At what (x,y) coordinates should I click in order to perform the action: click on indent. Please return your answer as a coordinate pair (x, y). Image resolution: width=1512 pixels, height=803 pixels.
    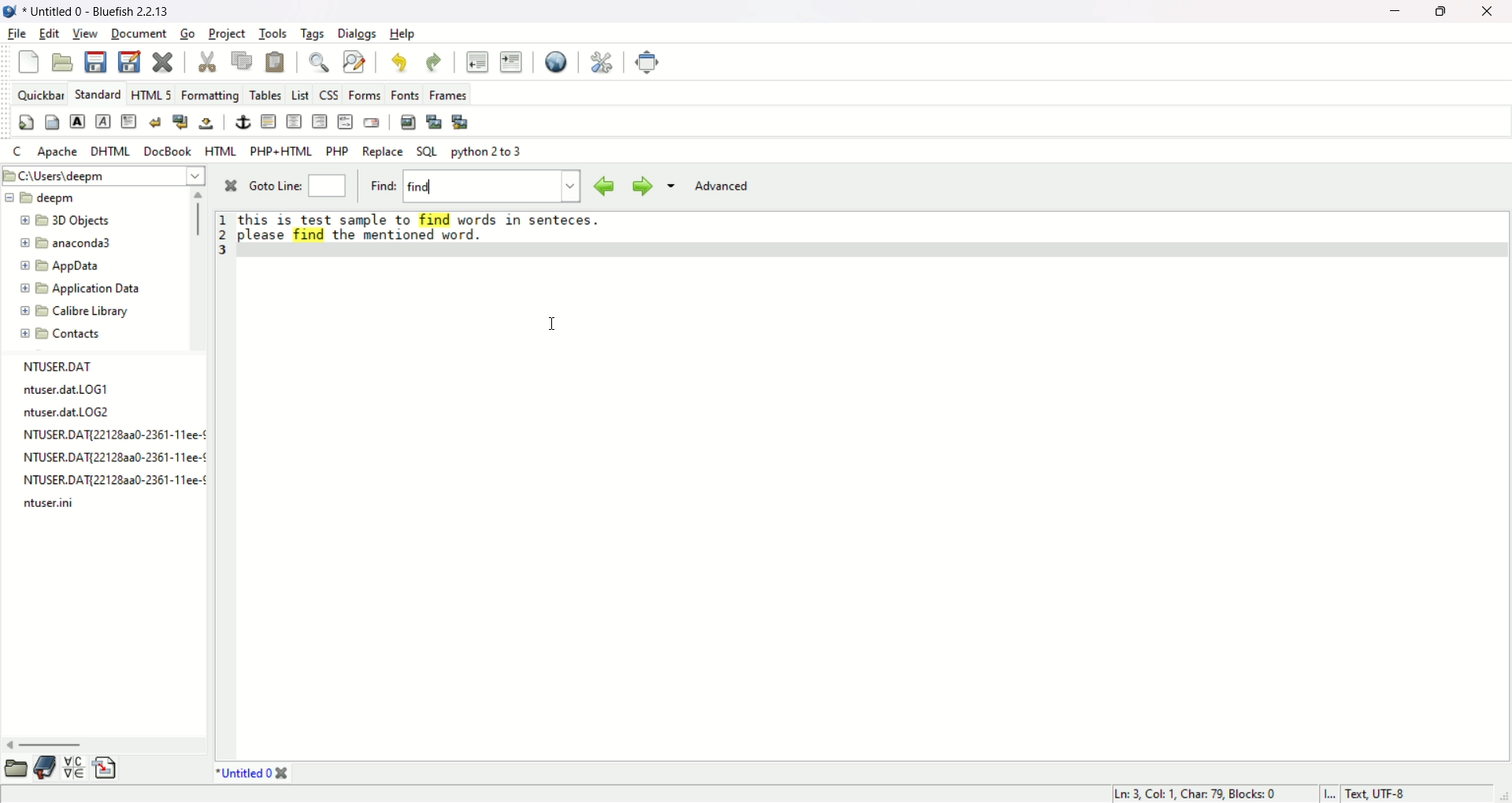
    Looking at the image, I should click on (511, 61).